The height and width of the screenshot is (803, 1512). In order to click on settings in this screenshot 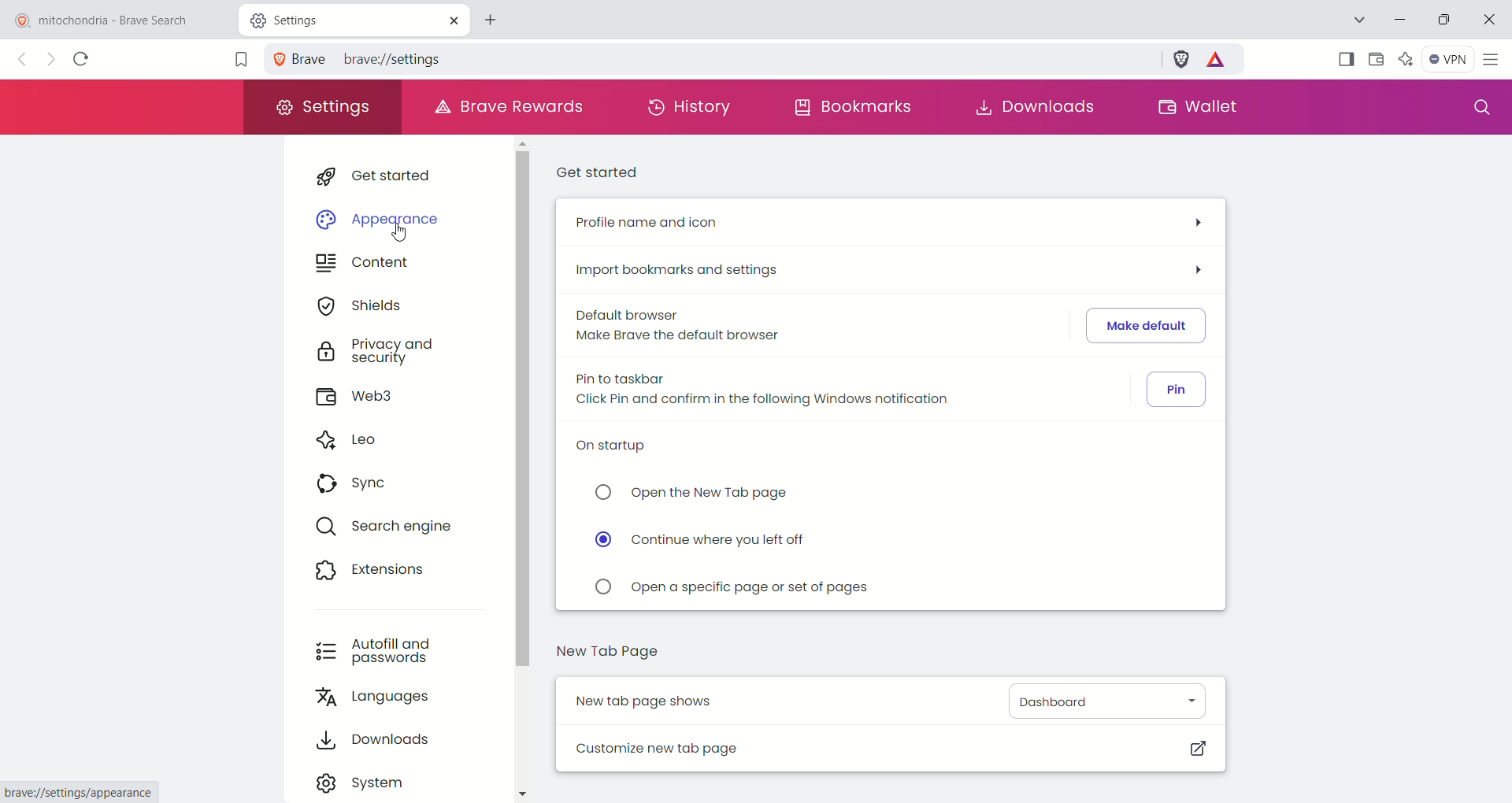, I will do `click(322, 109)`.